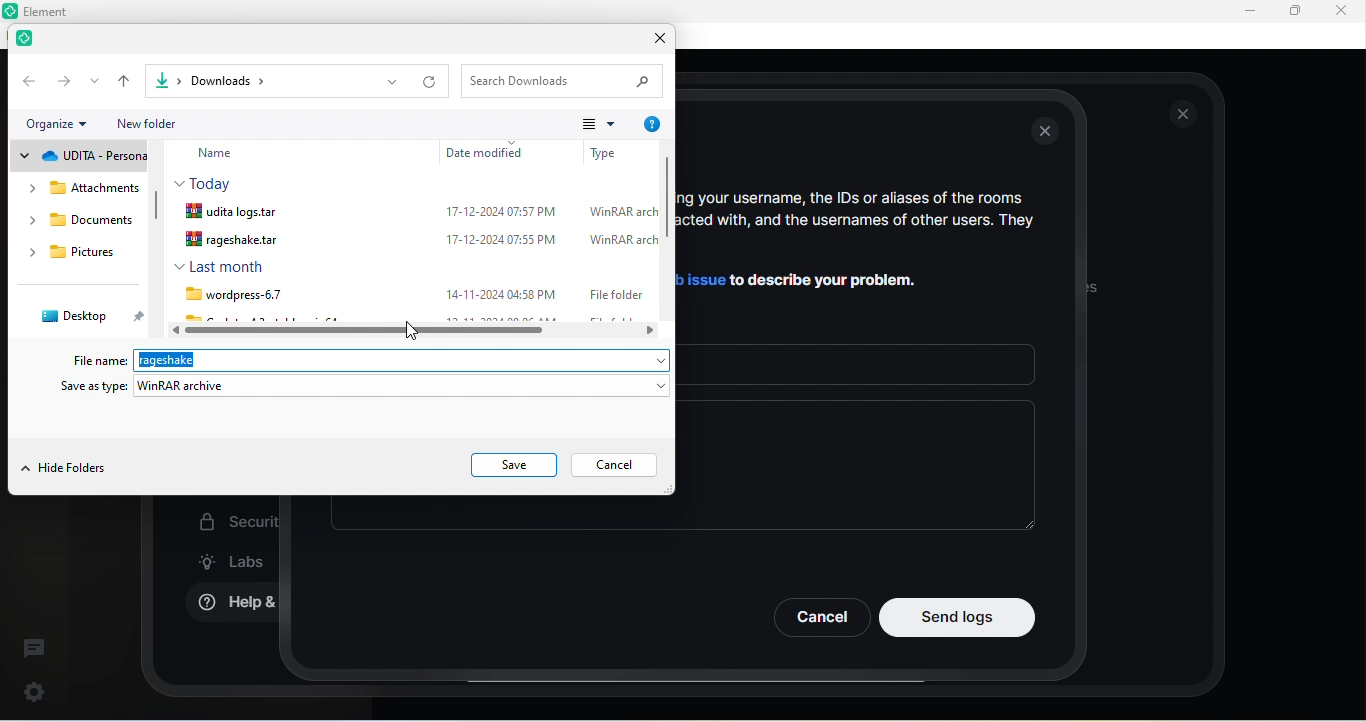 Image resolution: width=1366 pixels, height=722 pixels. I want to click on date modified, so click(490, 152).